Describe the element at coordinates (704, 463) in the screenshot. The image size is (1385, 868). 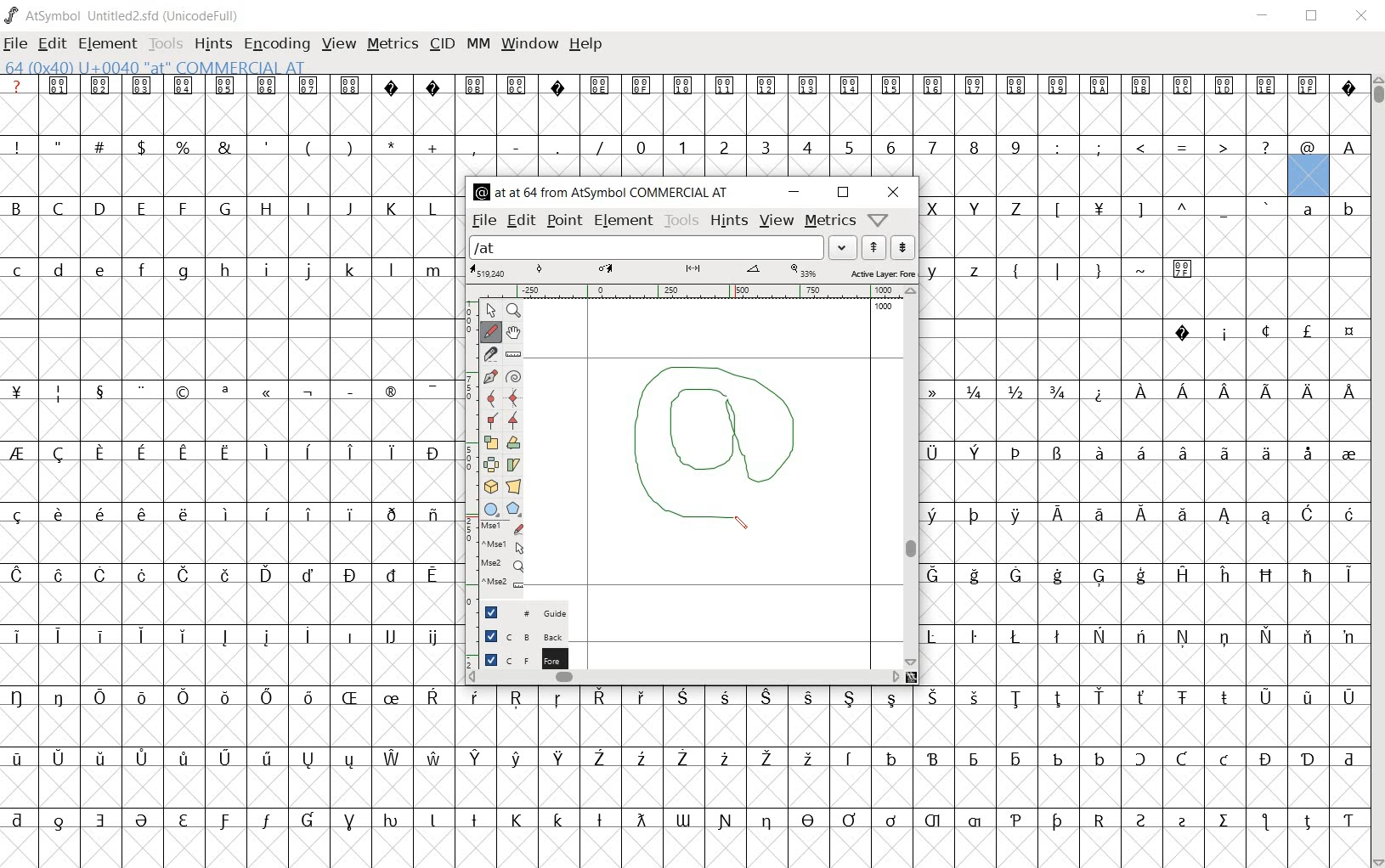
I see `designing at sign` at that location.